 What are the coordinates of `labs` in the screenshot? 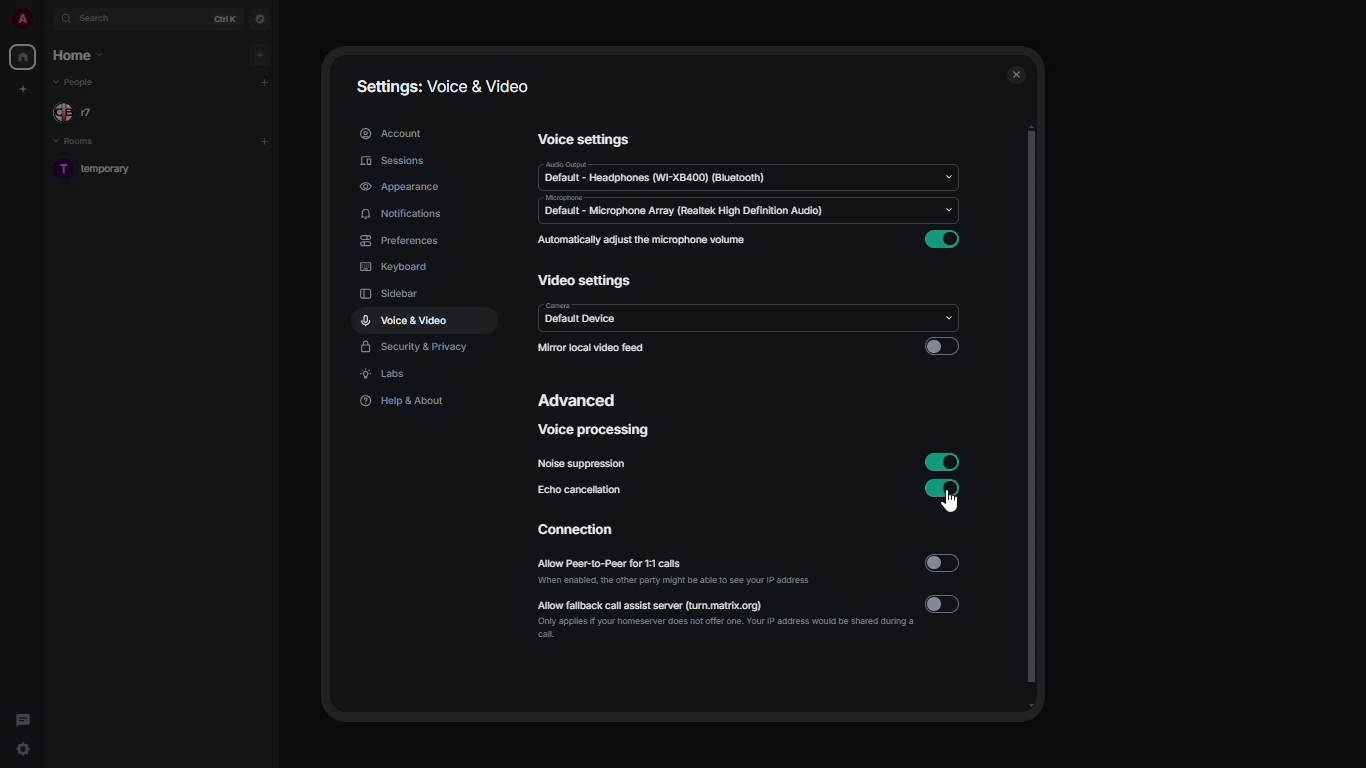 It's located at (385, 374).